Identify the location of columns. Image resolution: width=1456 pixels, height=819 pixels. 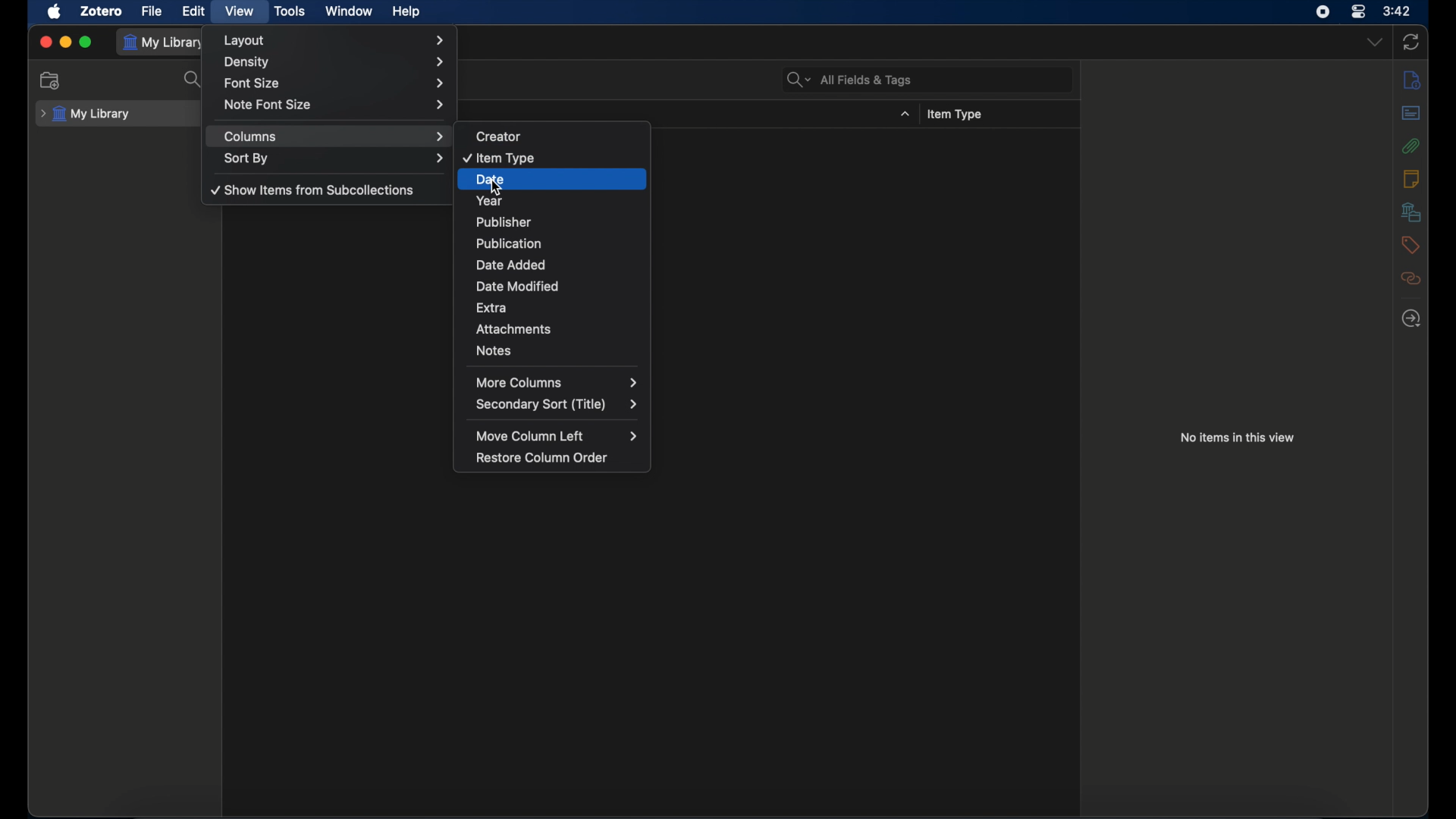
(333, 136).